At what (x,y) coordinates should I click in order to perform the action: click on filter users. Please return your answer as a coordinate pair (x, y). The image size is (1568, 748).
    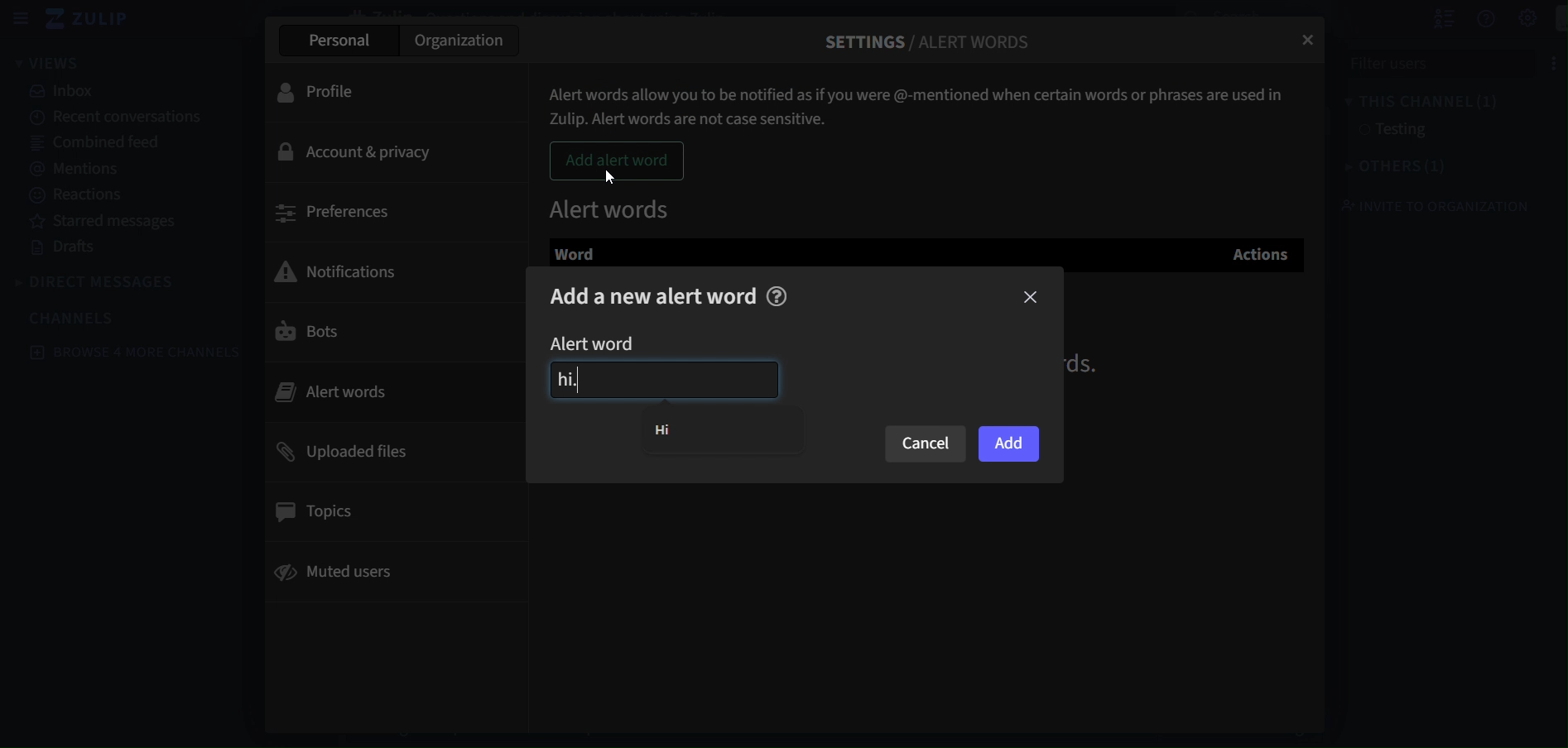
    Looking at the image, I should click on (1417, 63).